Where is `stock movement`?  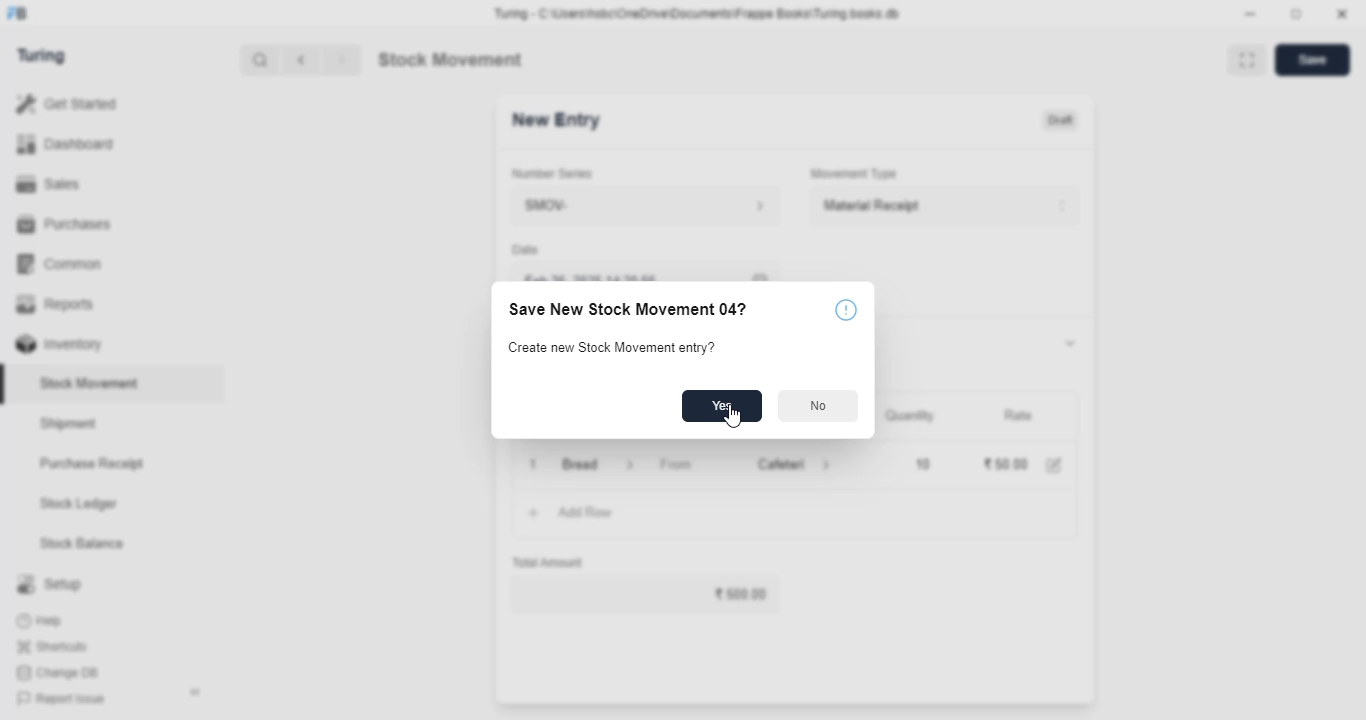 stock movement is located at coordinates (449, 59).